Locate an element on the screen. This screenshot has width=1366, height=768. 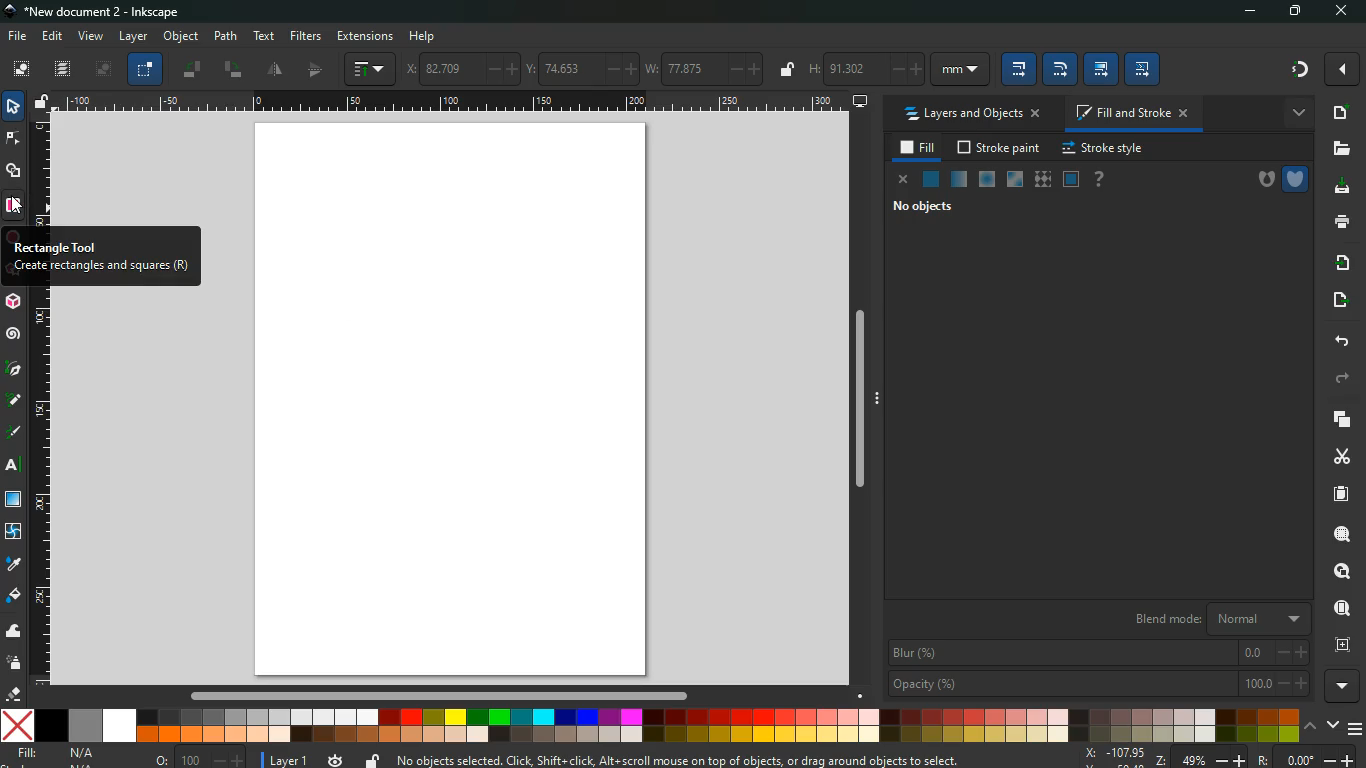
stroke style is located at coordinates (1105, 150).